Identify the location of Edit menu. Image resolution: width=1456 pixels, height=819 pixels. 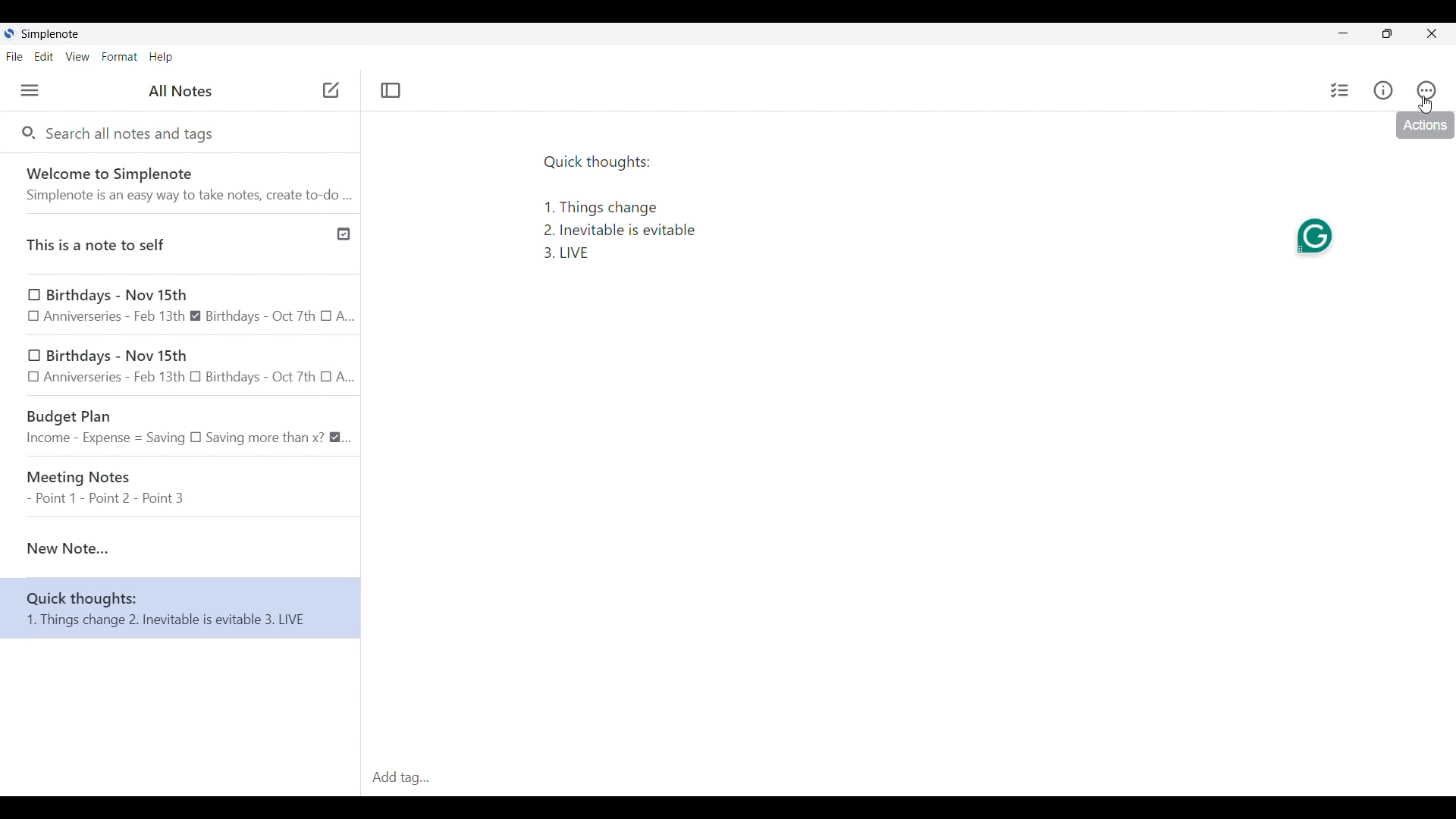
(44, 56).